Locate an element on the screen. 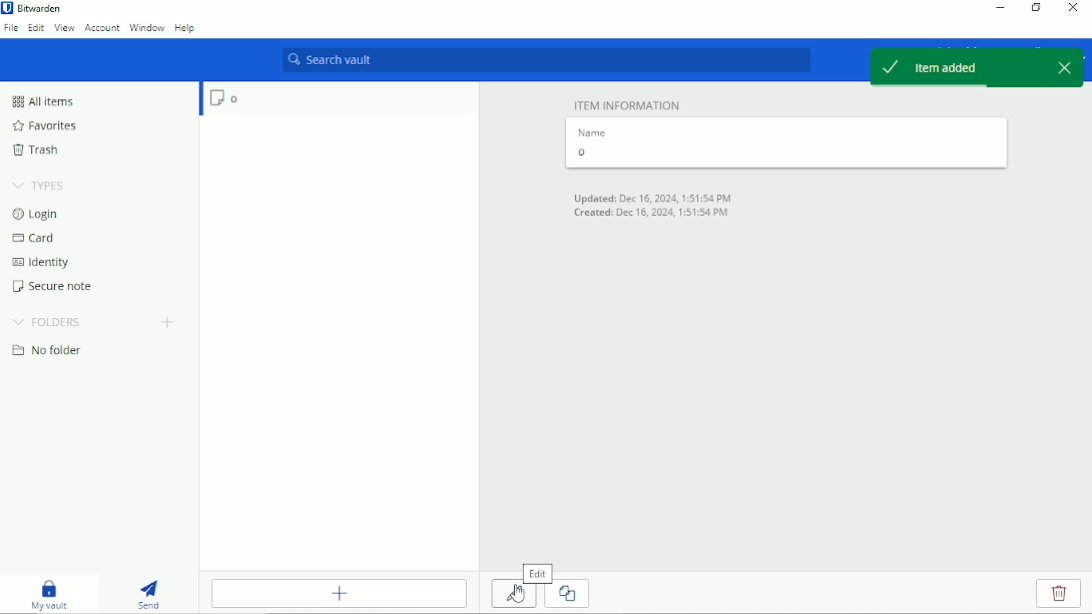 This screenshot has height=614, width=1092. Delete is located at coordinates (1059, 594).